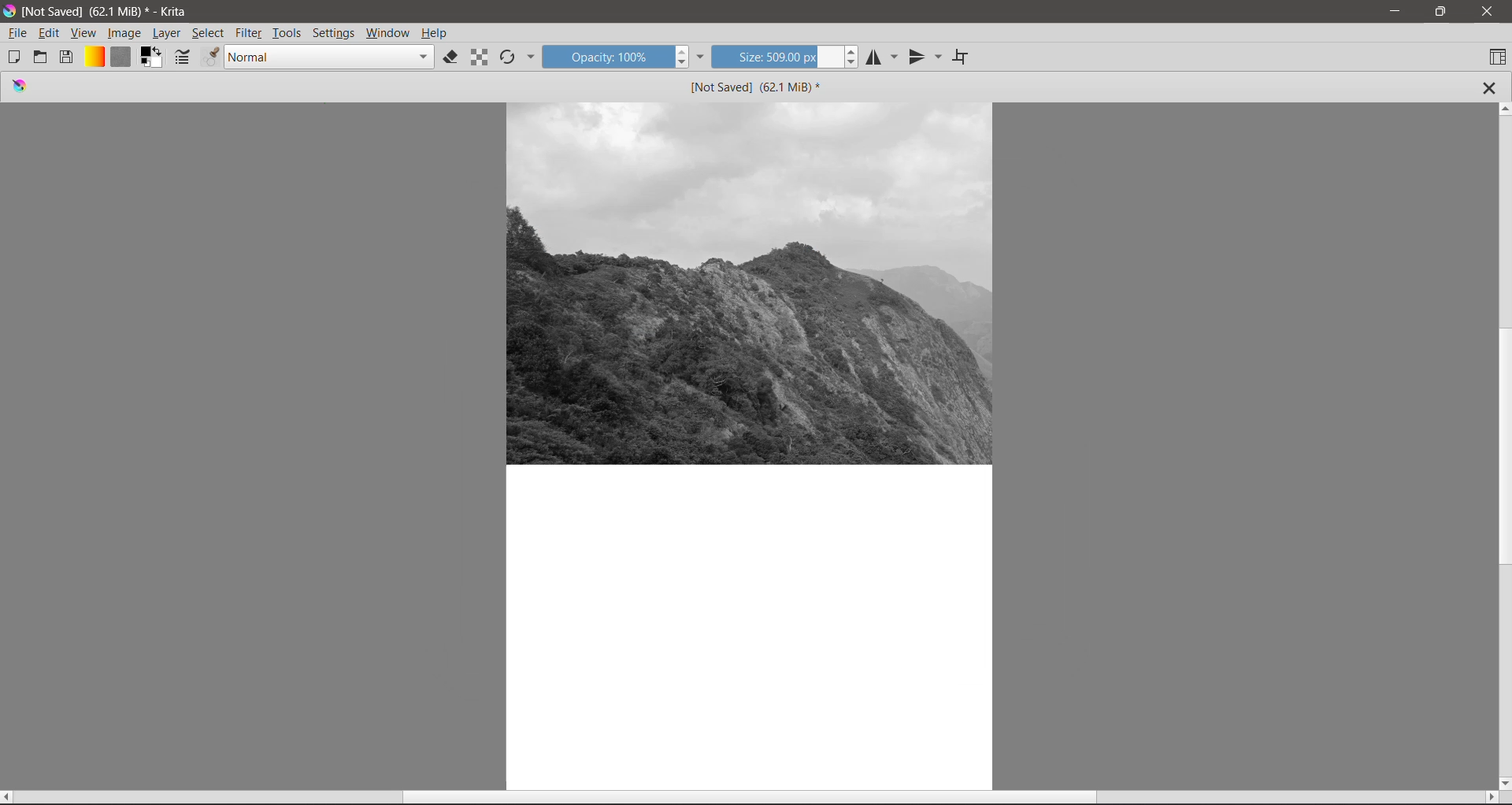  What do you see at coordinates (1392, 9) in the screenshot?
I see `Minimize` at bounding box center [1392, 9].